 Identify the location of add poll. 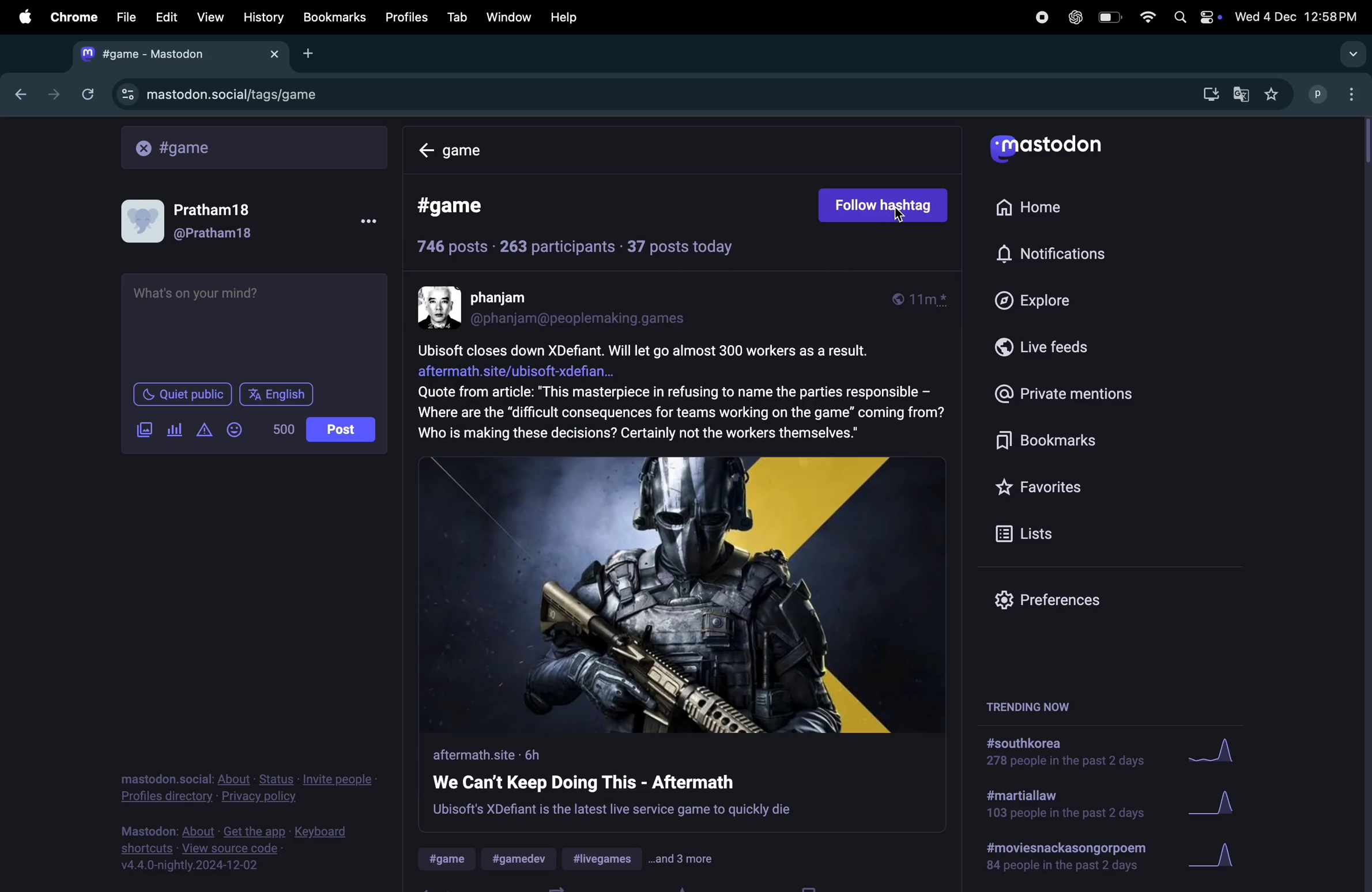
(175, 430).